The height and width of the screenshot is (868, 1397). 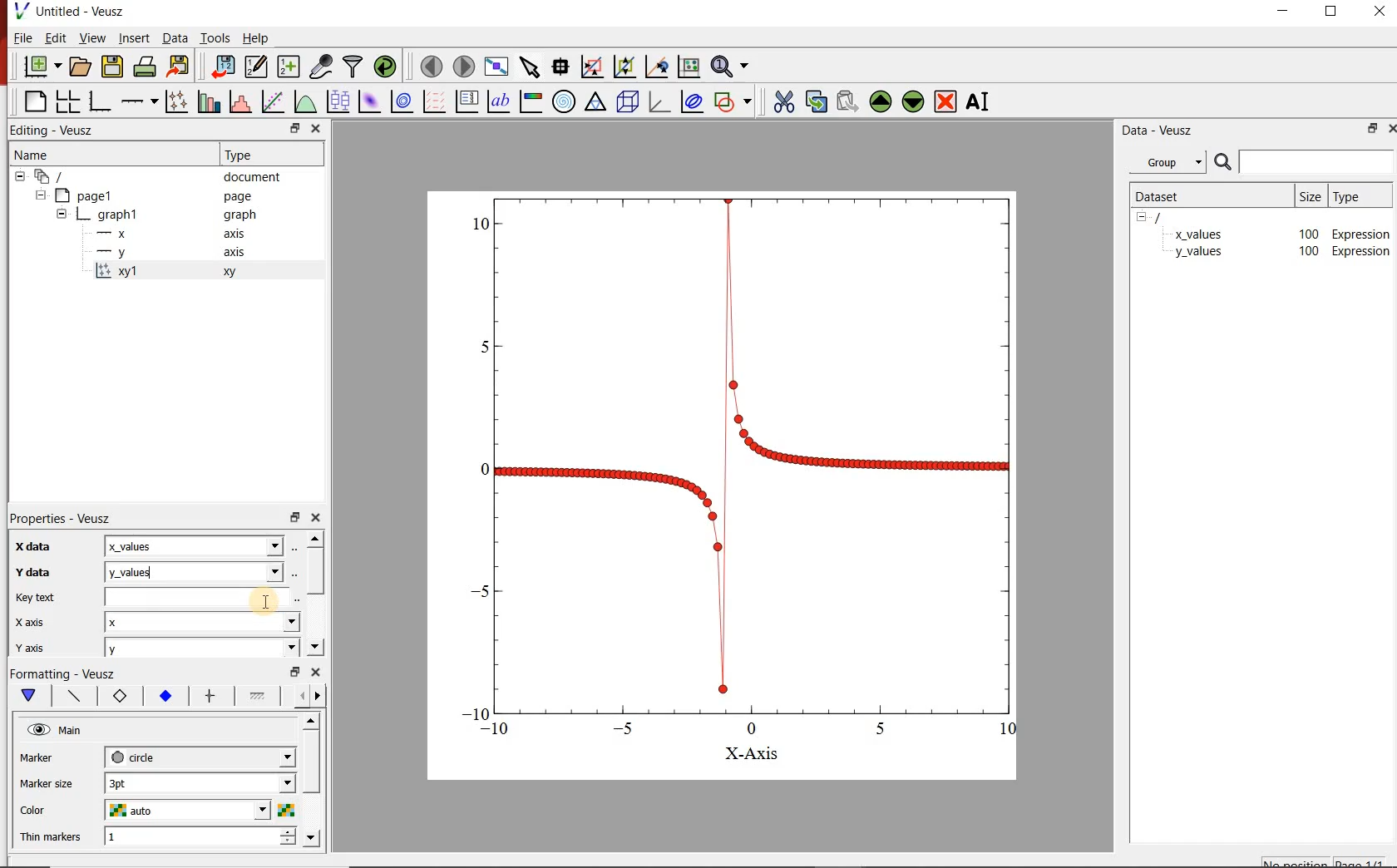 What do you see at coordinates (273, 101) in the screenshot?
I see `fit a function to a data` at bounding box center [273, 101].